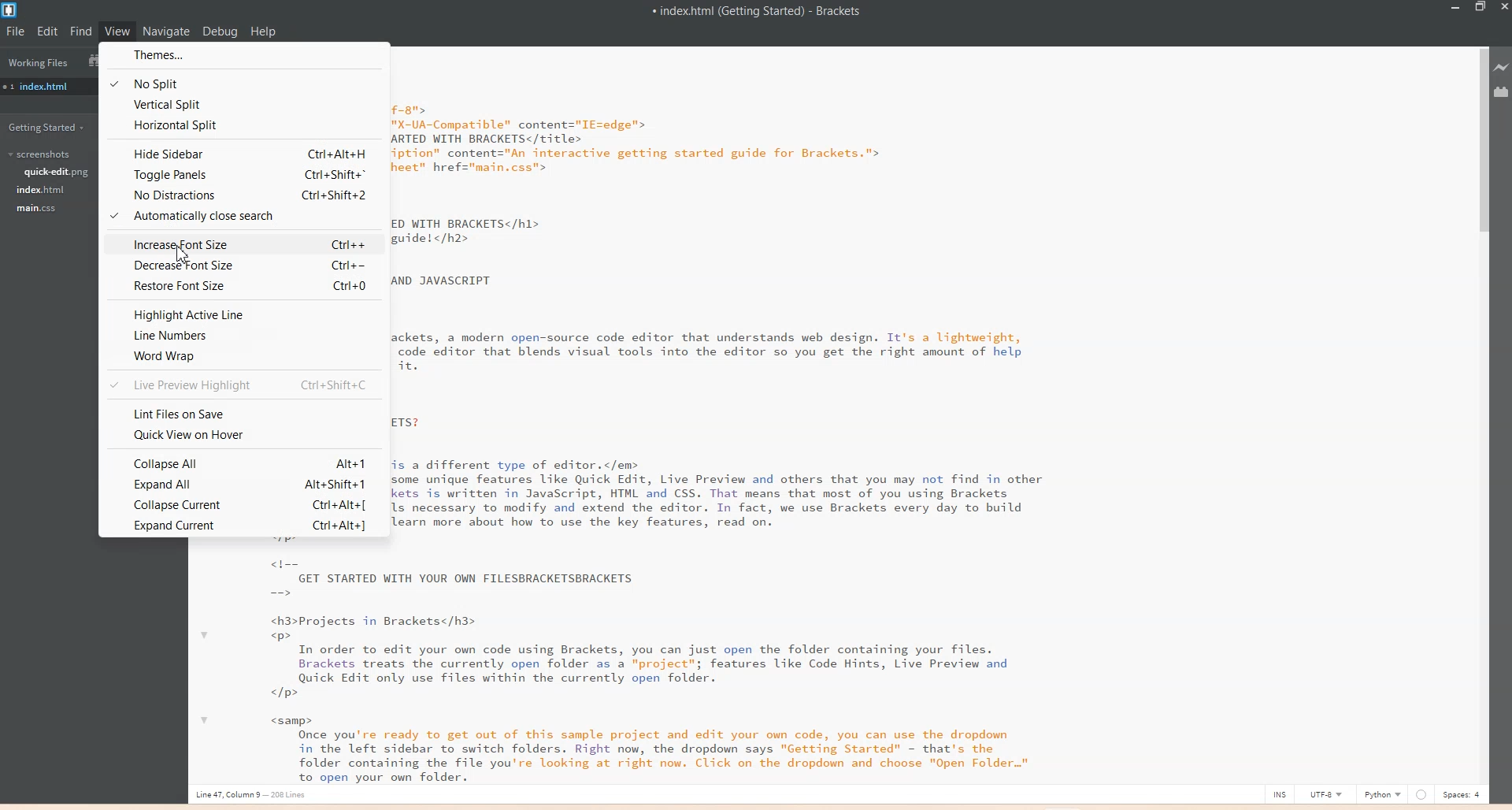 Image resolution: width=1512 pixels, height=810 pixels. Describe the element at coordinates (220, 32) in the screenshot. I see `Debug` at that location.